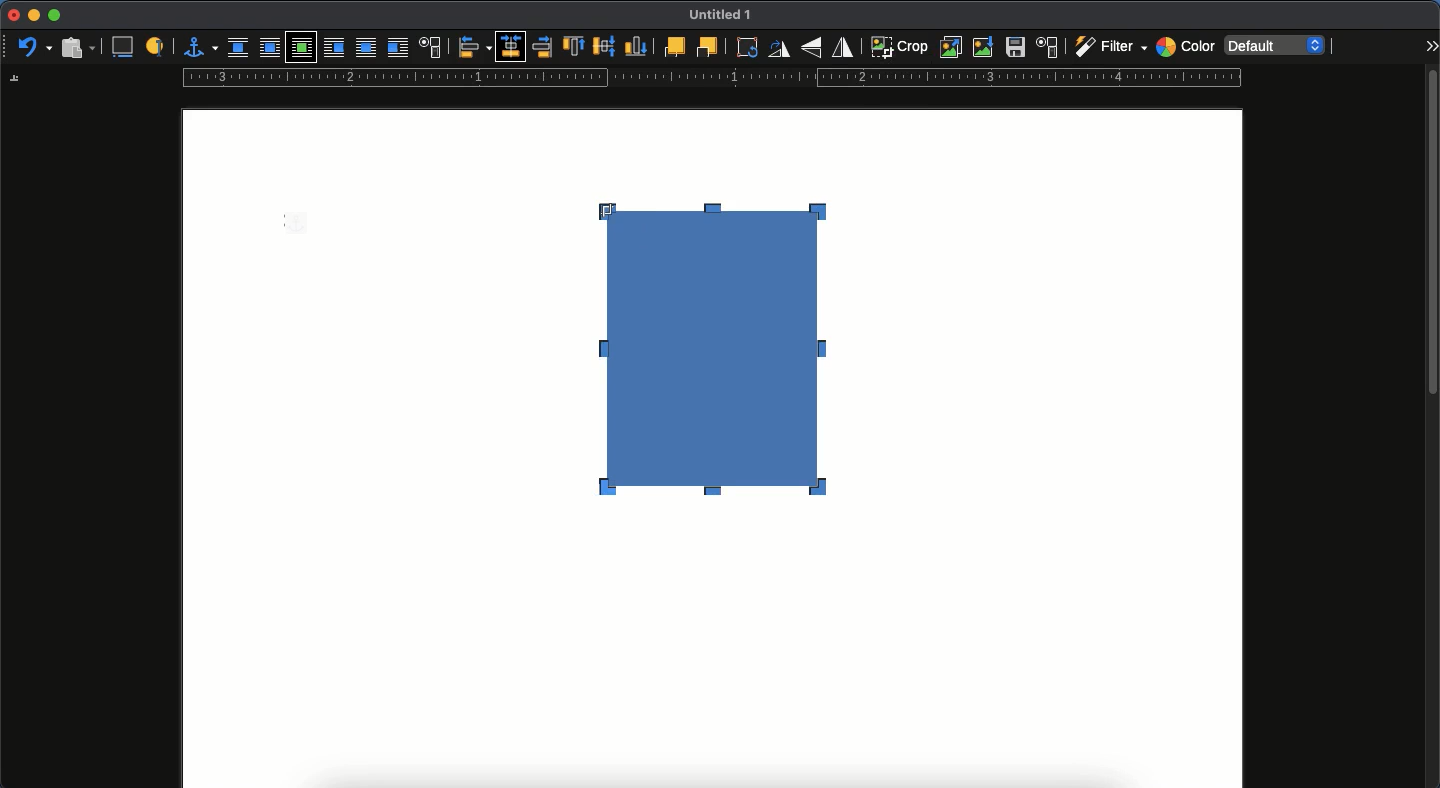 This screenshot has height=788, width=1440. Describe the element at coordinates (238, 48) in the screenshot. I see `none` at that location.